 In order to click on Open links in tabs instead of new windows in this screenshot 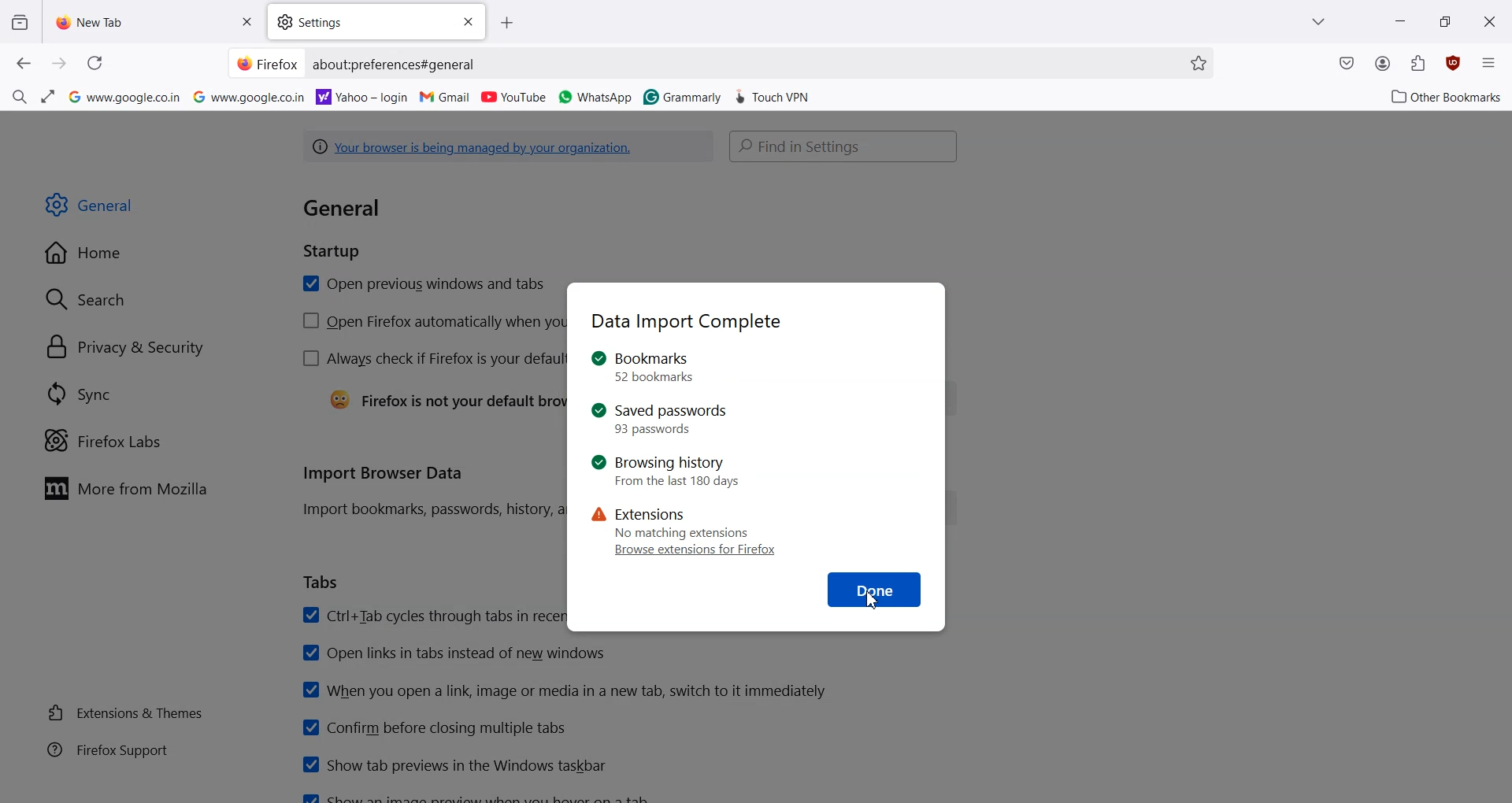, I will do `click(456, 653)`.